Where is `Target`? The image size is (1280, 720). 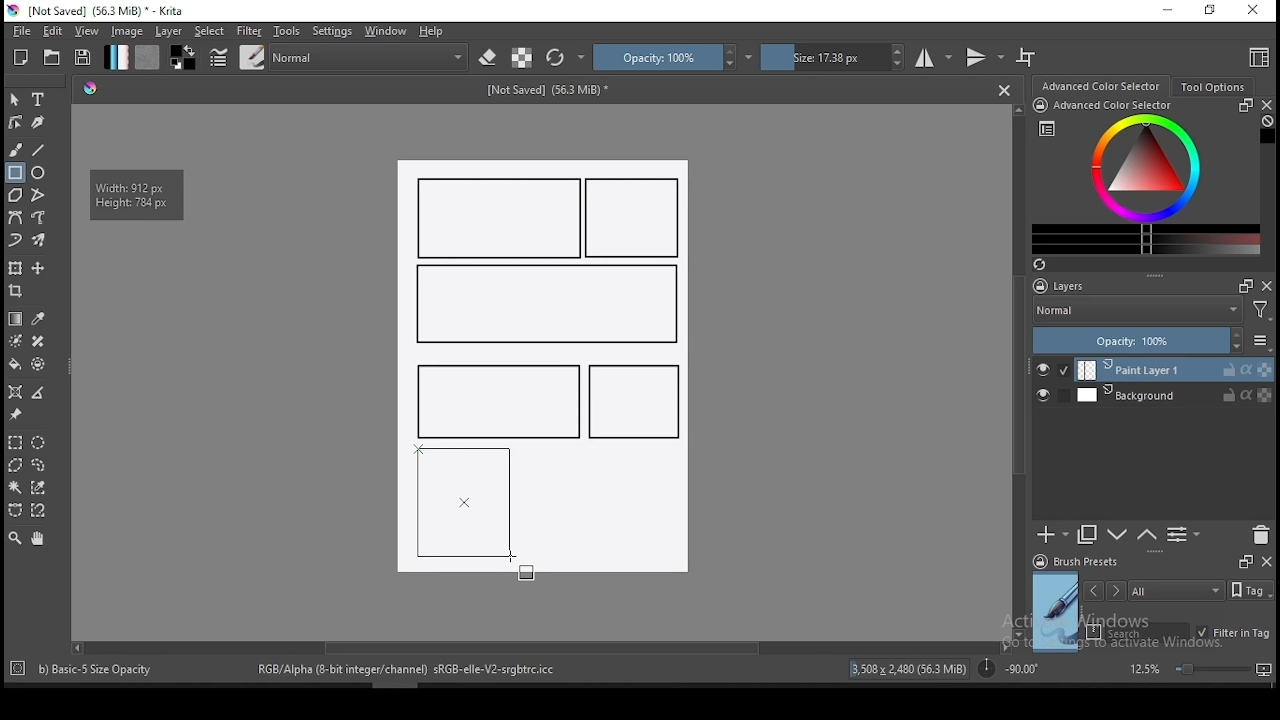 Target is located at coordinates (19, 669).